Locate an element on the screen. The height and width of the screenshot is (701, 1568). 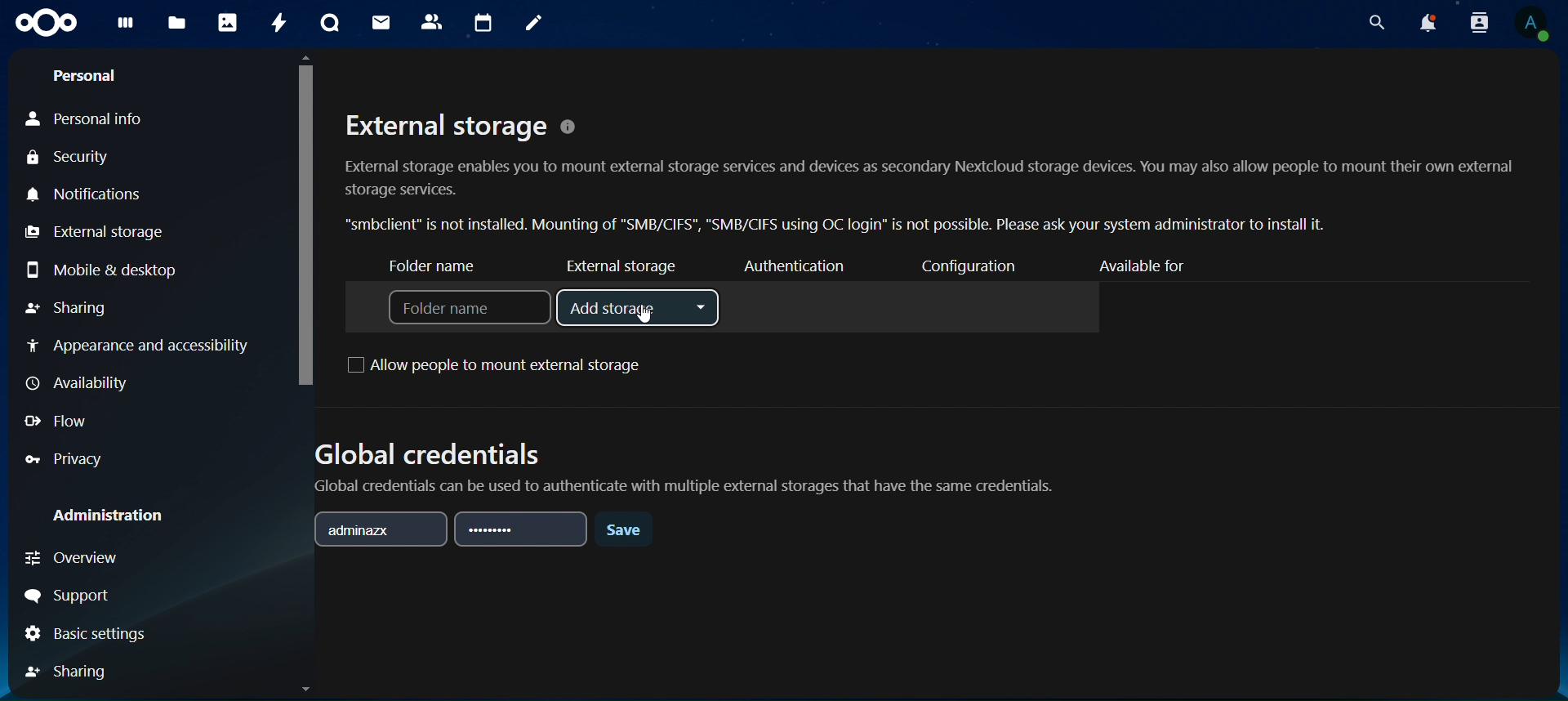
support is located at coordinates (73, 592).